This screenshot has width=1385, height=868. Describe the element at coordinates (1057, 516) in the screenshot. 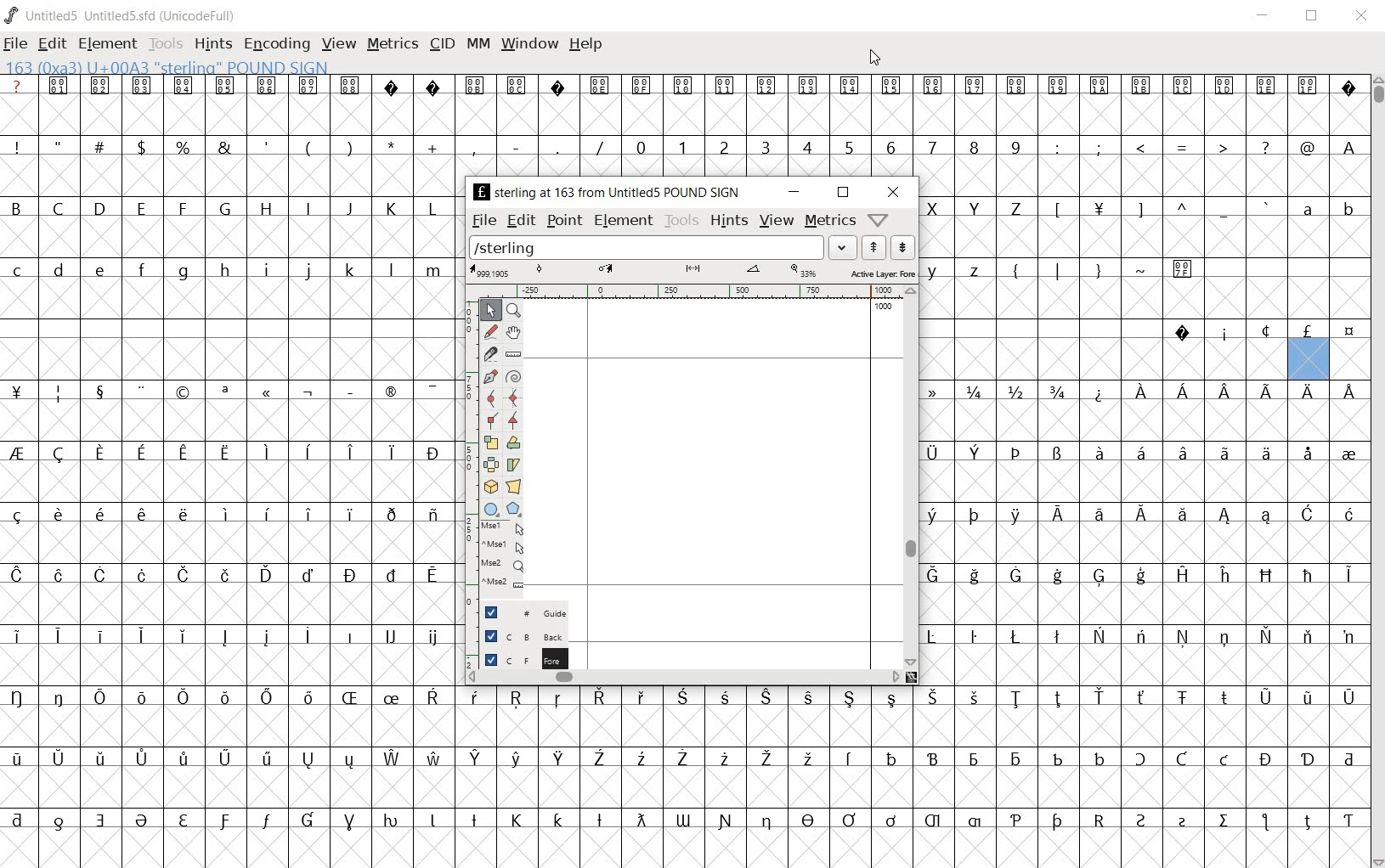

I see `Symbol` at that location.